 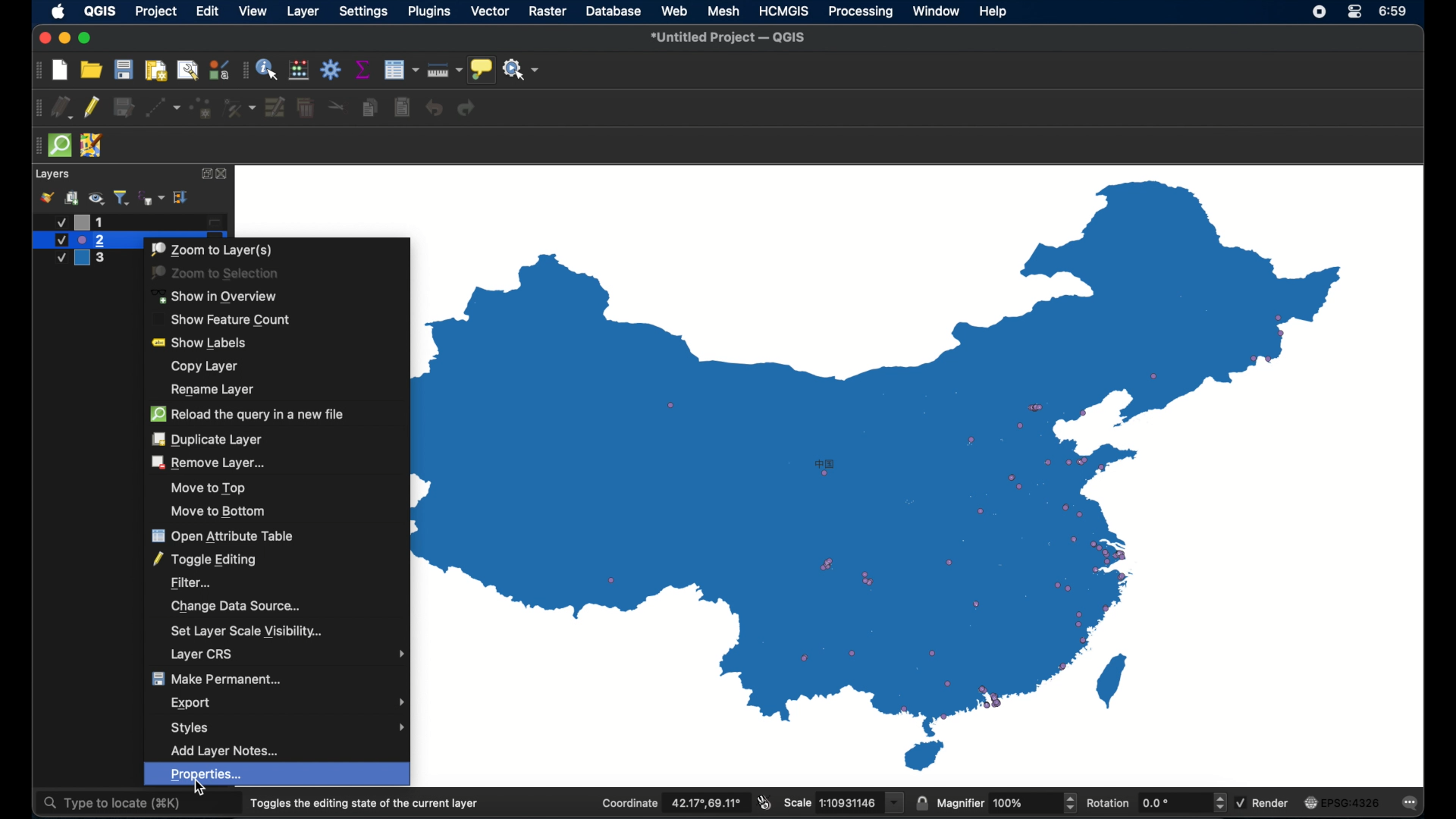 I want to click on style manager, so click(x=219, y=69).